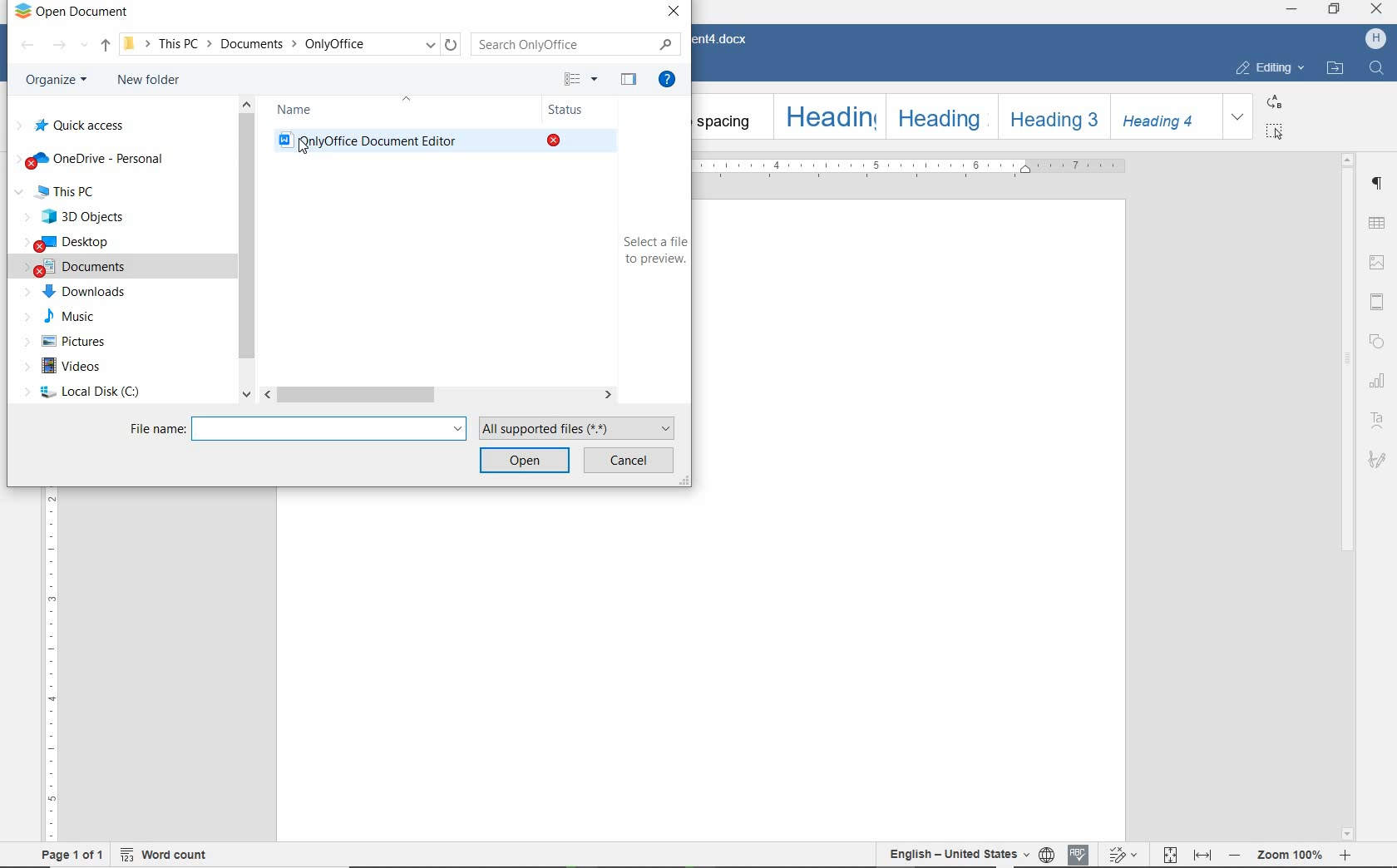 The height and width of the screenshot is (868, 1397). I want to click on Heading 3, so click(1055, 117).